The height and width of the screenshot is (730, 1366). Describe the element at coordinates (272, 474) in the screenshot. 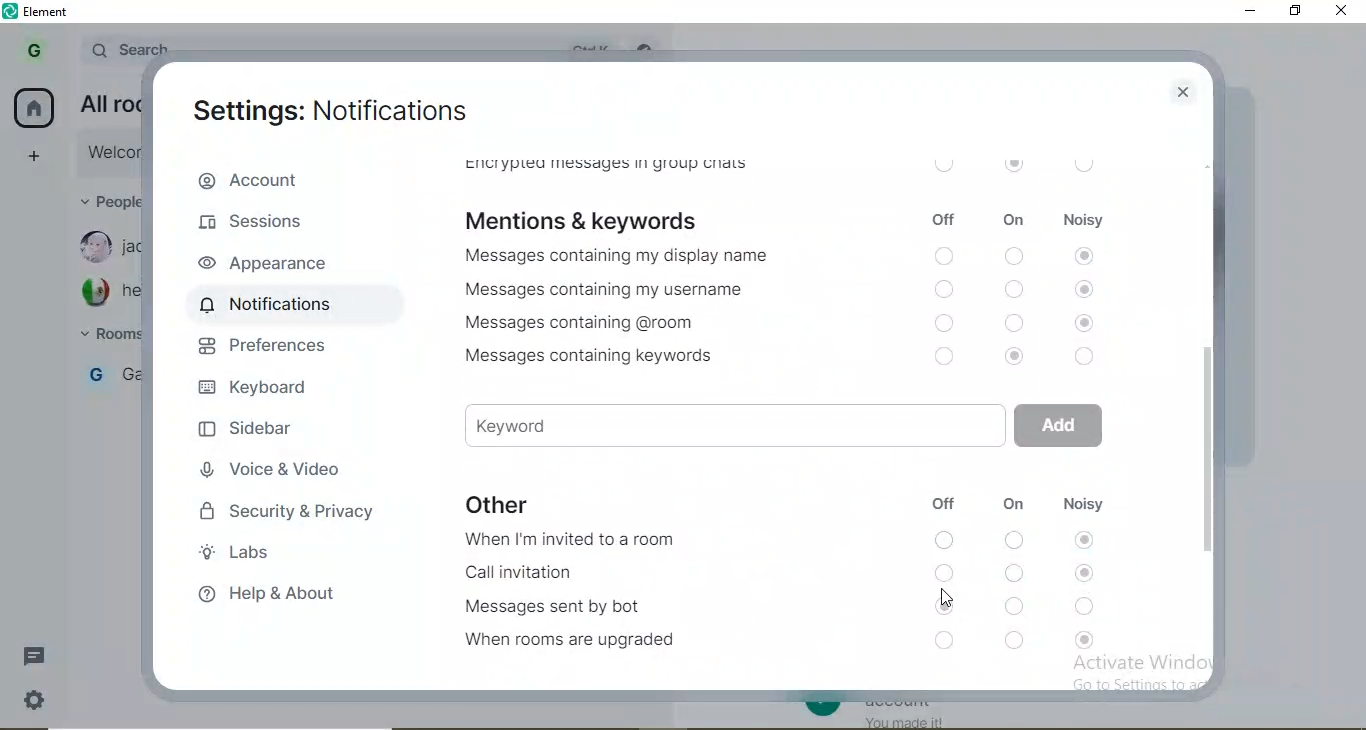

I see `voice & video` at that location.